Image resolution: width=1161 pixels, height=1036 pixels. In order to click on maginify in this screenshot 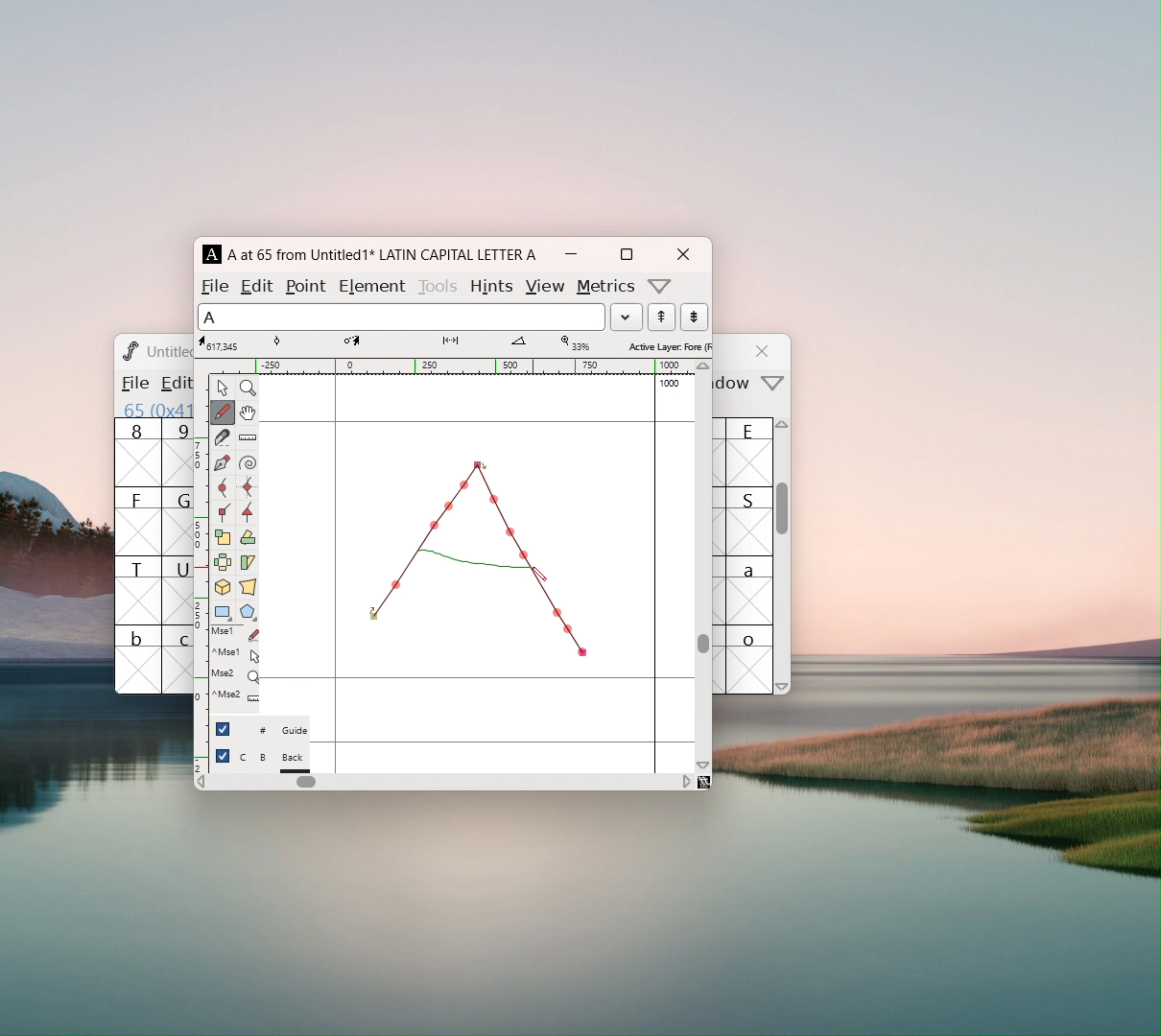, I will do `click(248, 388)`.